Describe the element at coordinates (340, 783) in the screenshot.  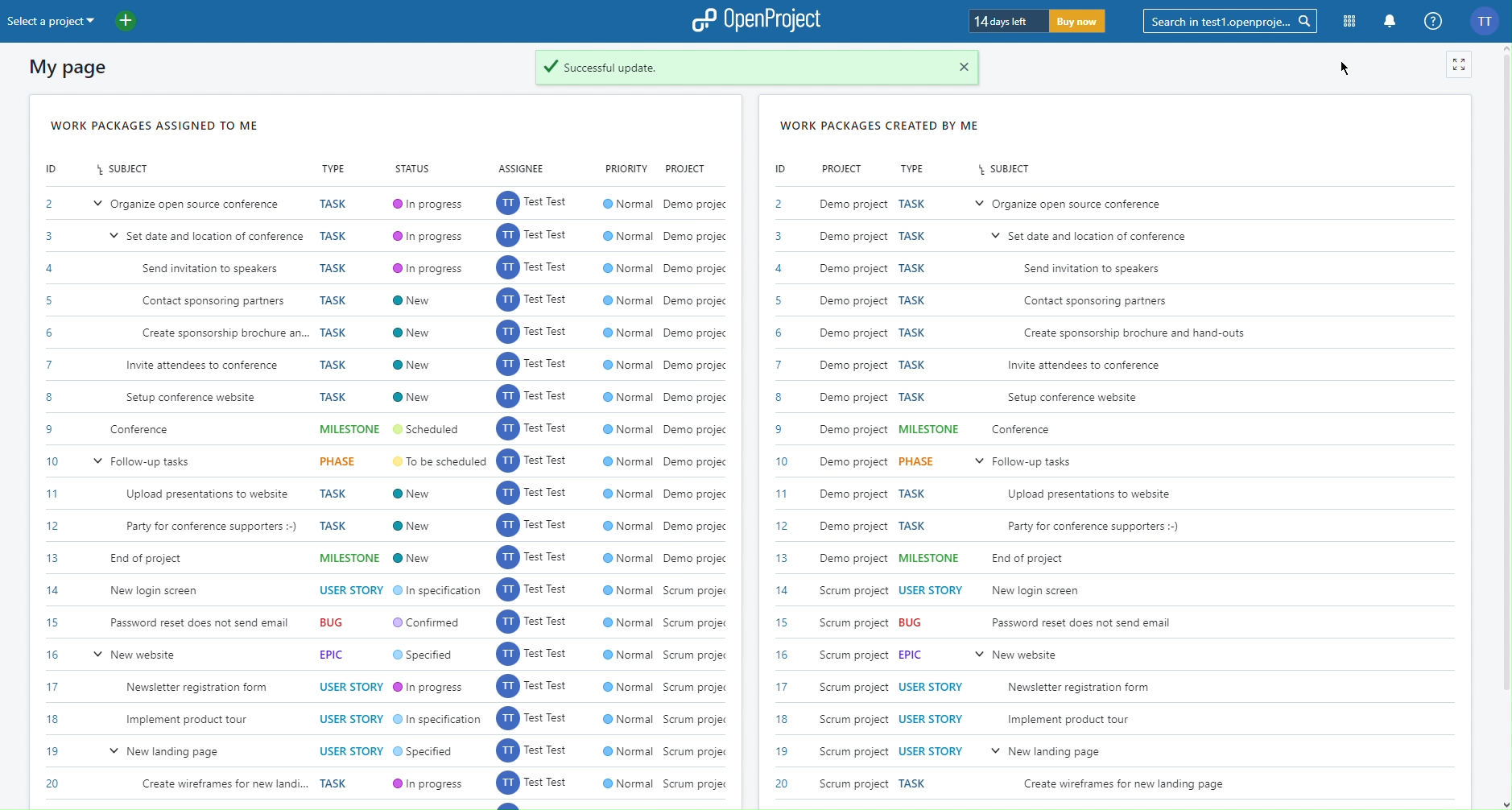
I see `Task` at that location.